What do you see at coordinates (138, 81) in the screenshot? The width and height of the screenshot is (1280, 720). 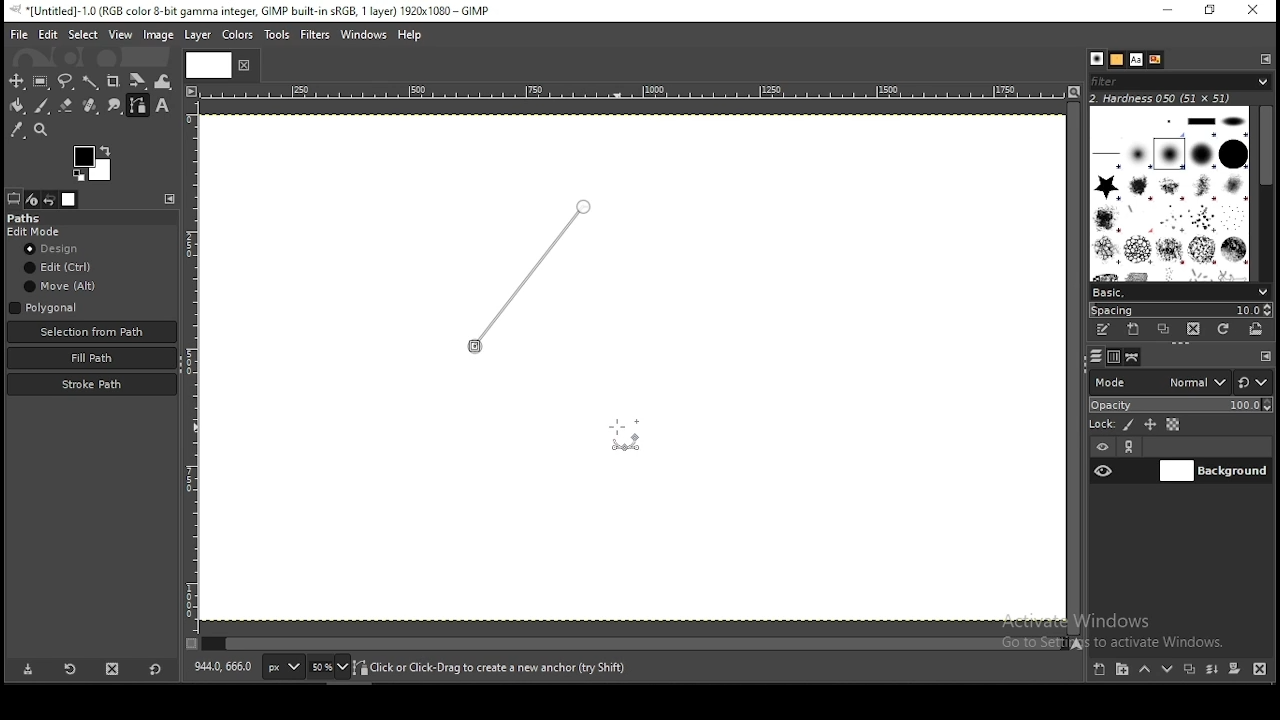 I see `shear tool` at bounding box center [138, 81].